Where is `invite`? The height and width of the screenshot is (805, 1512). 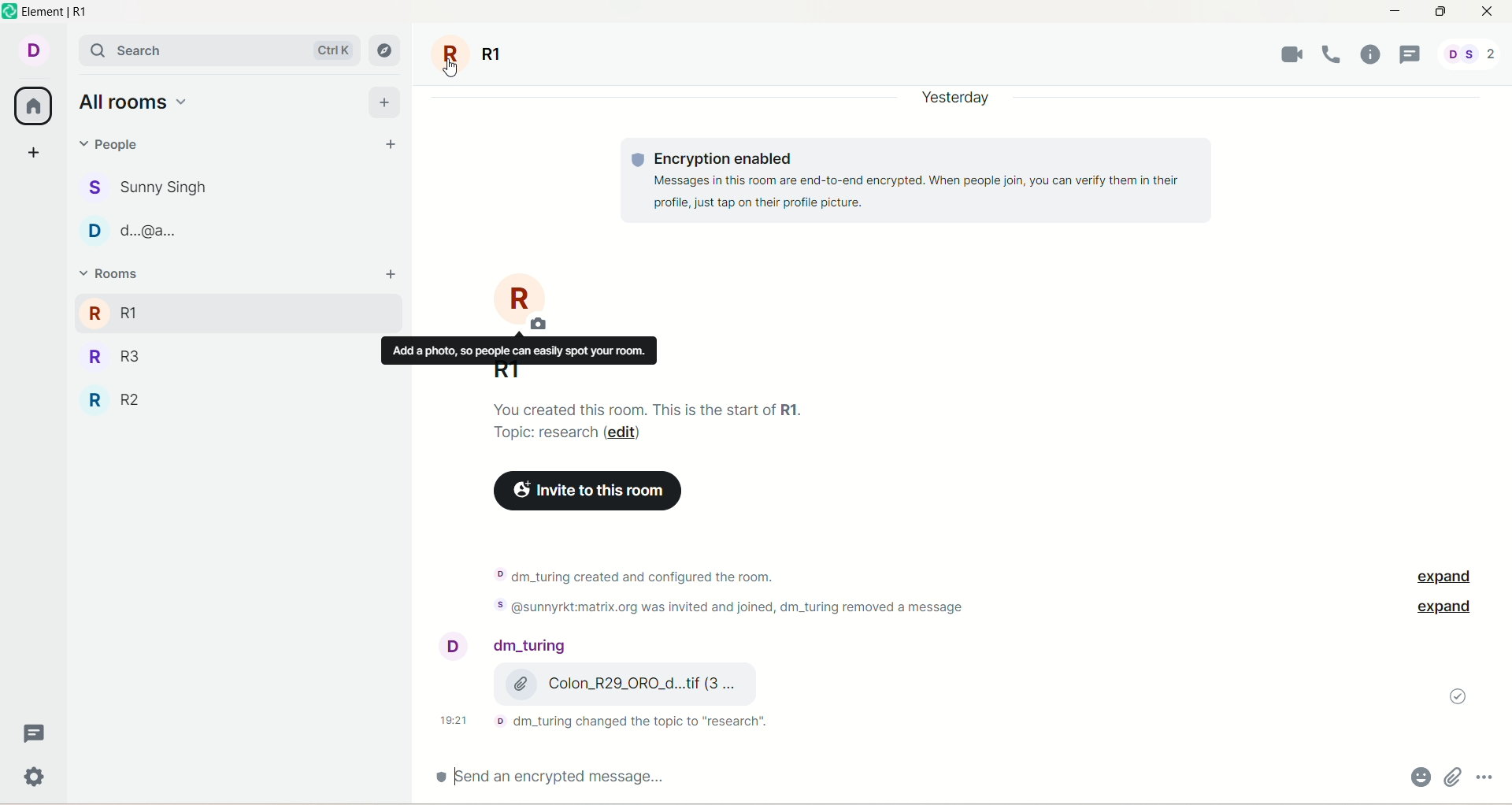
invite is located at coordinates (594, 494).